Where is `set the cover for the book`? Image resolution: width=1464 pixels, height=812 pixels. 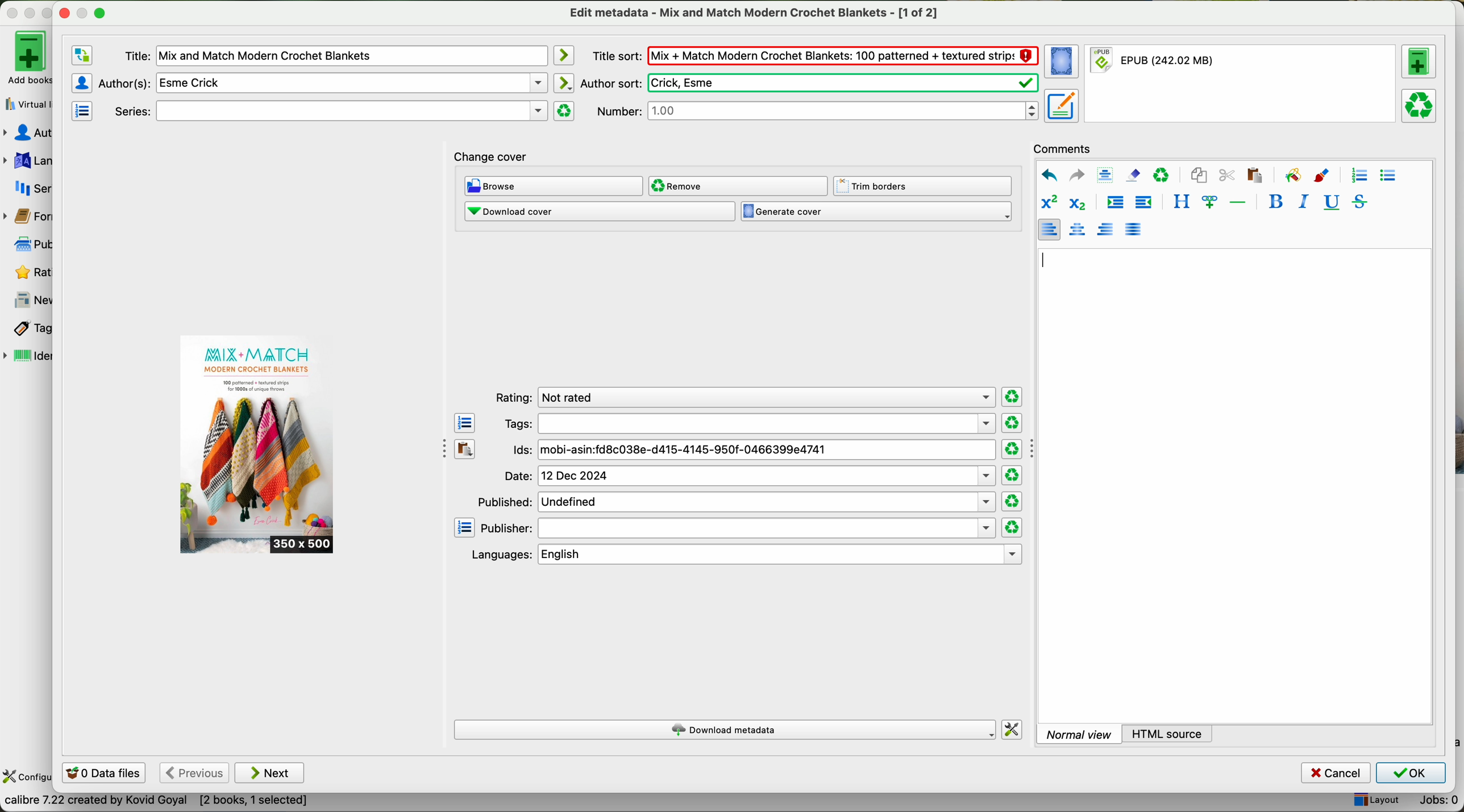 set the cover for the book is located at coordinates (1063, 62).